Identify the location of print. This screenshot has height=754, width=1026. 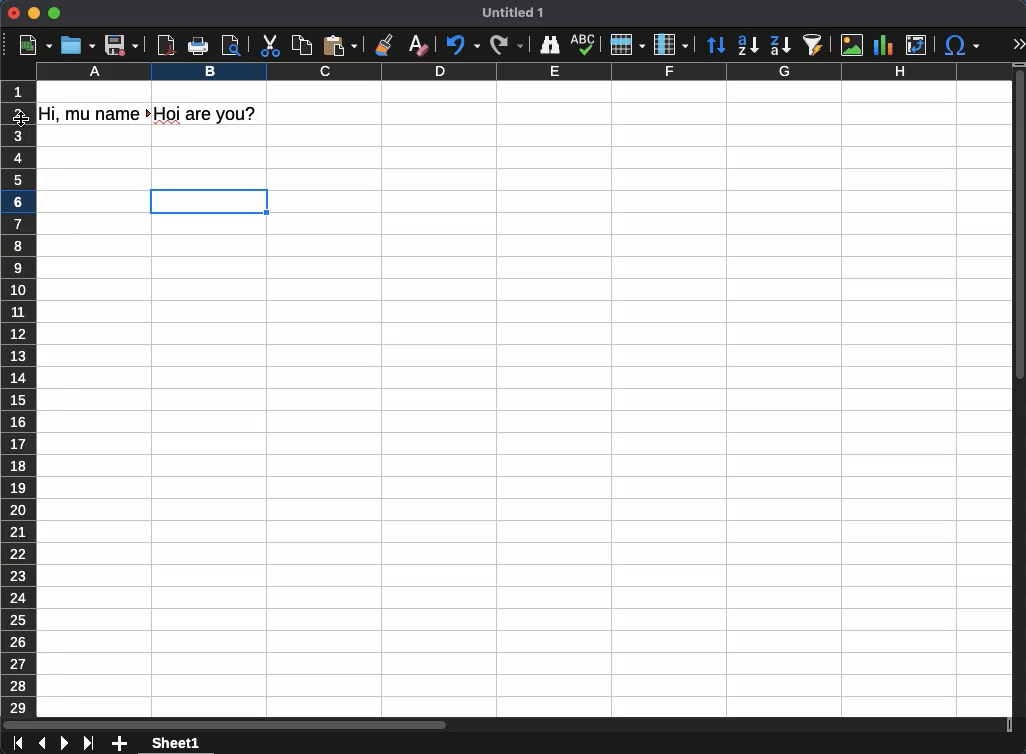
(199, 45).